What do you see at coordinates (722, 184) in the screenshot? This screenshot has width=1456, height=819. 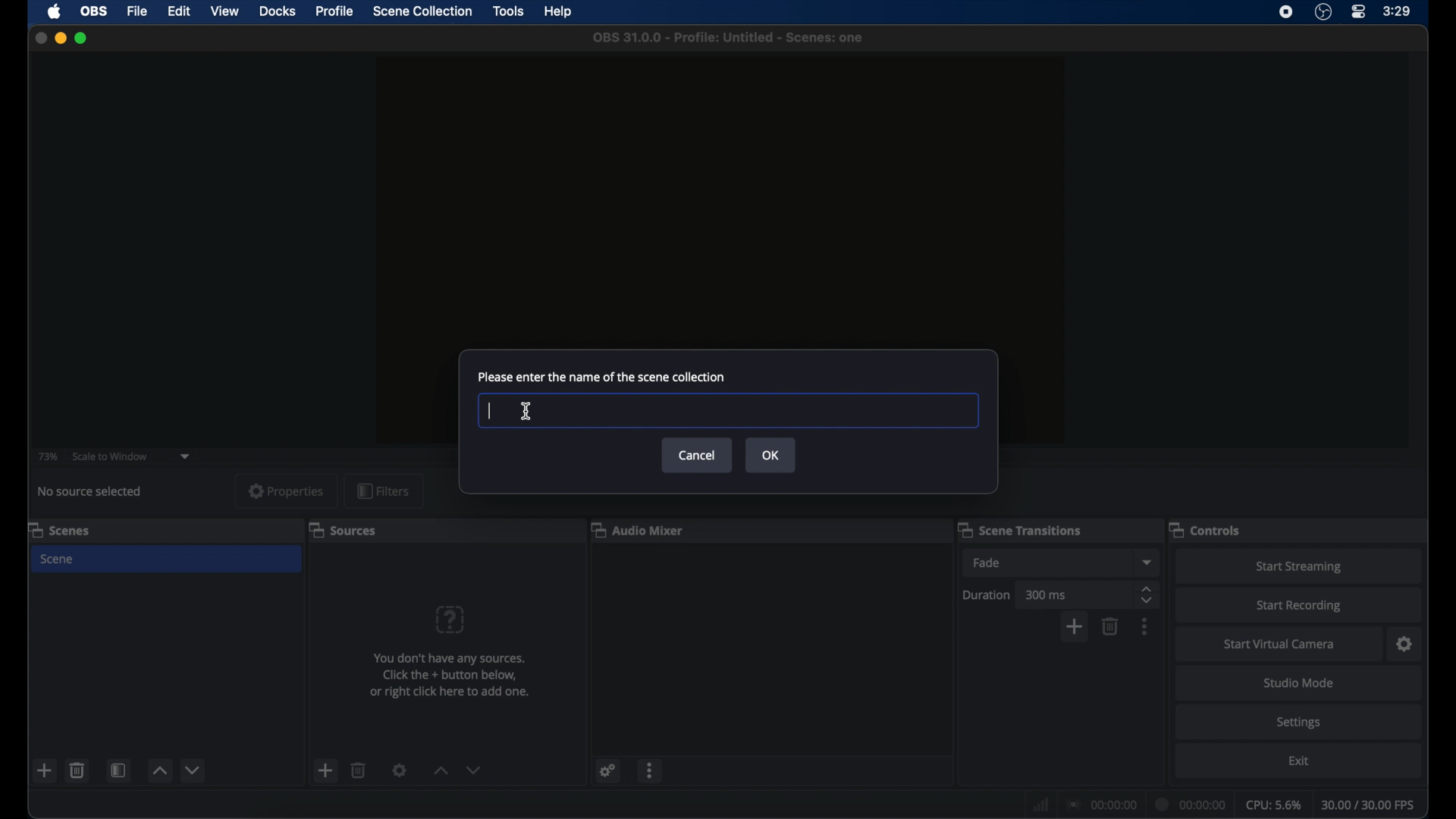 I see `preview` at bounding box center [722, 184].